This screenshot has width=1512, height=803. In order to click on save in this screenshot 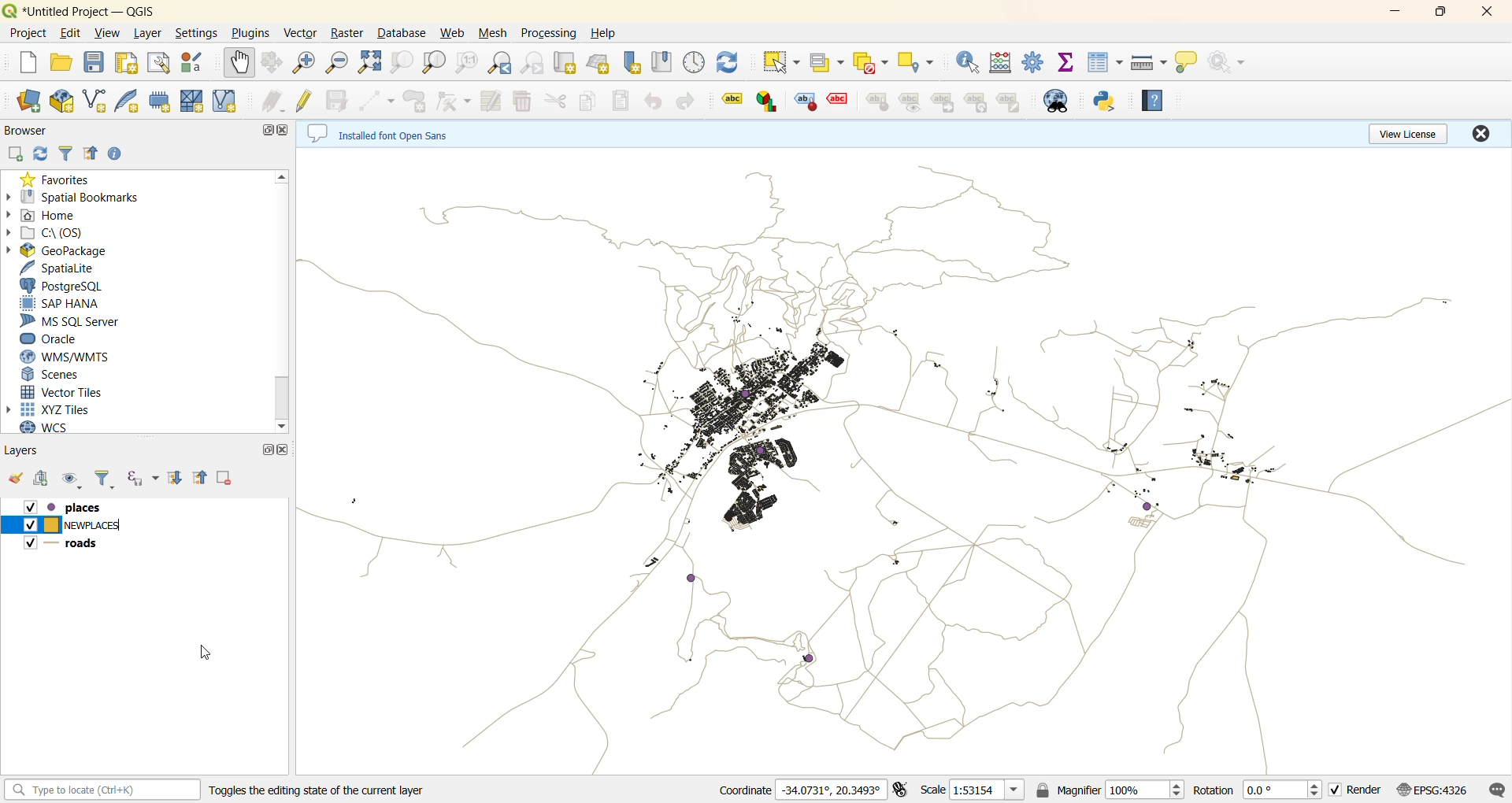, I will do `click(95, 65)`.